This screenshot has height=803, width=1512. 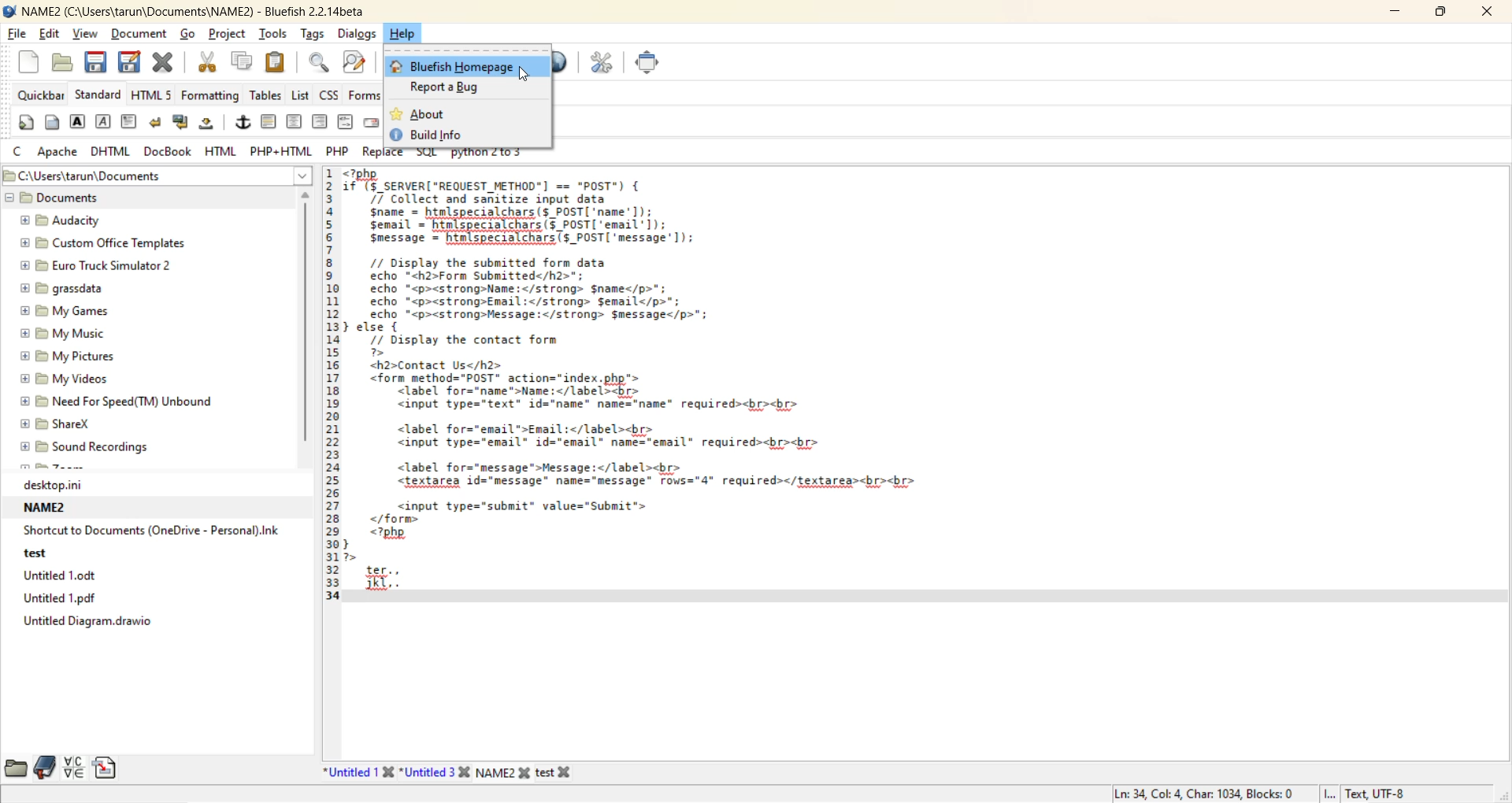 I want to click on Sound Recordings, so click(x=94, y=449).